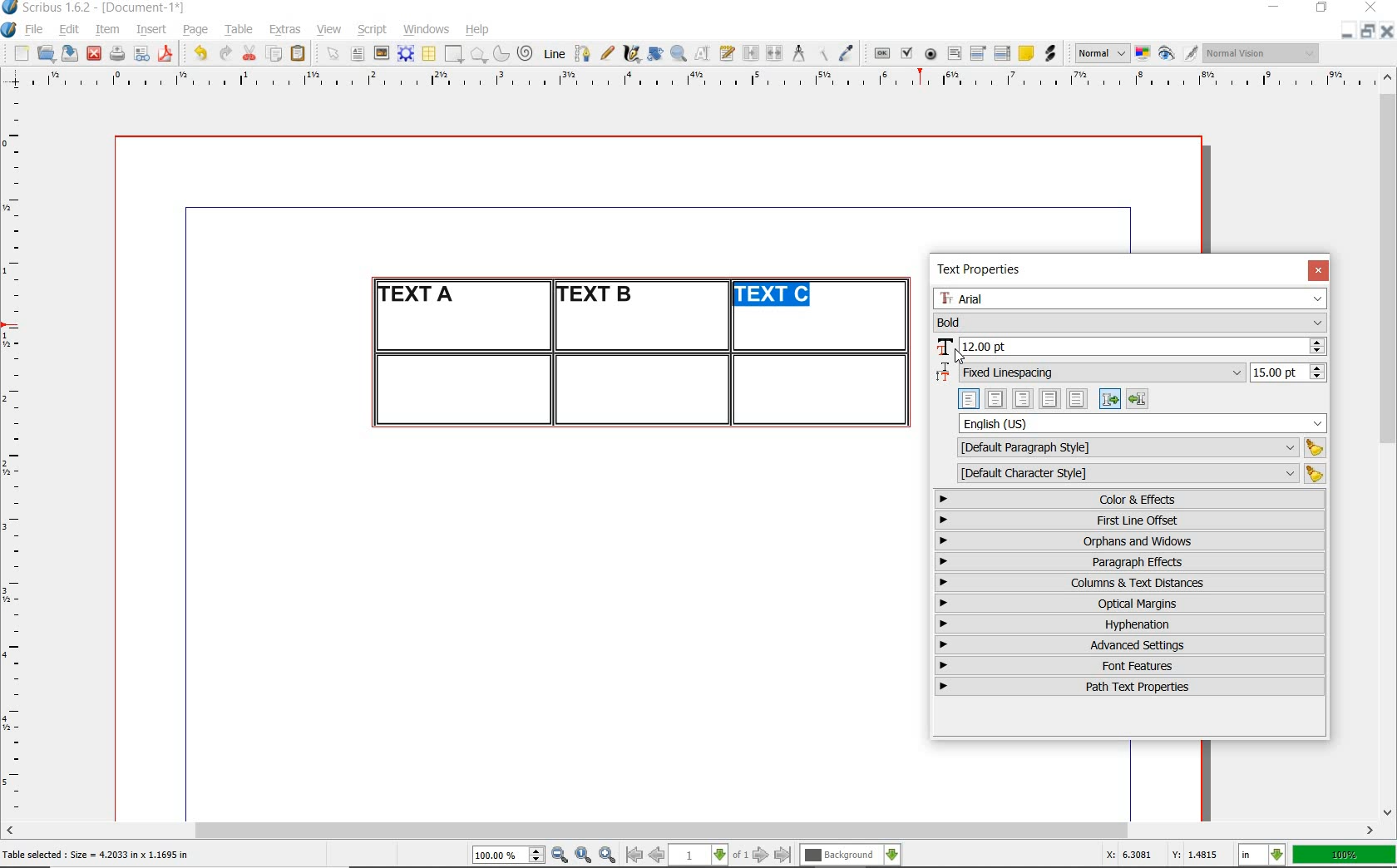 The image size is (1397, 868). What do you see at coordinates (501, 53) in the screenshot?
I see `arc` at bounding box center [501, 53].